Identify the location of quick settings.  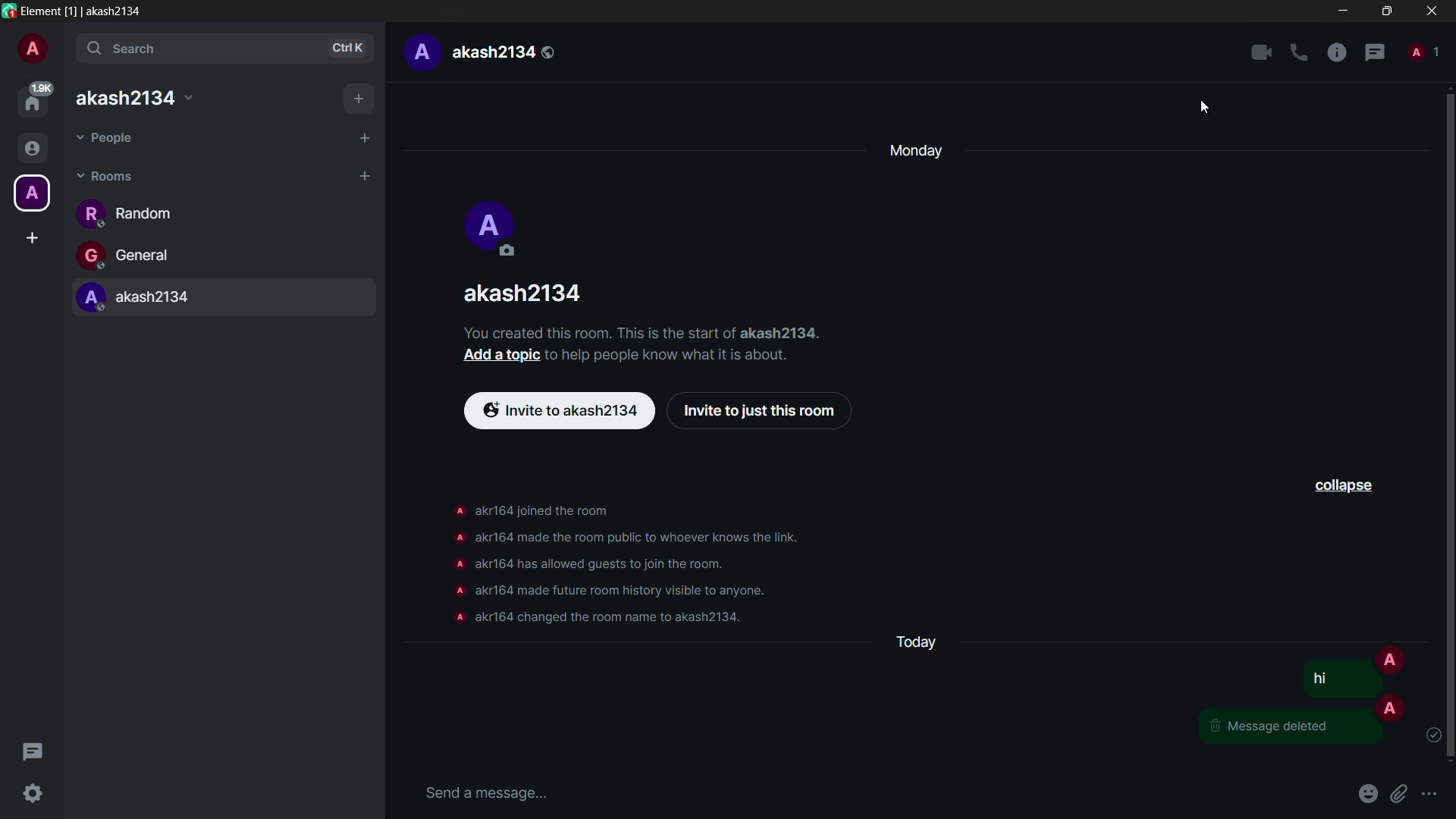
(34, 795).